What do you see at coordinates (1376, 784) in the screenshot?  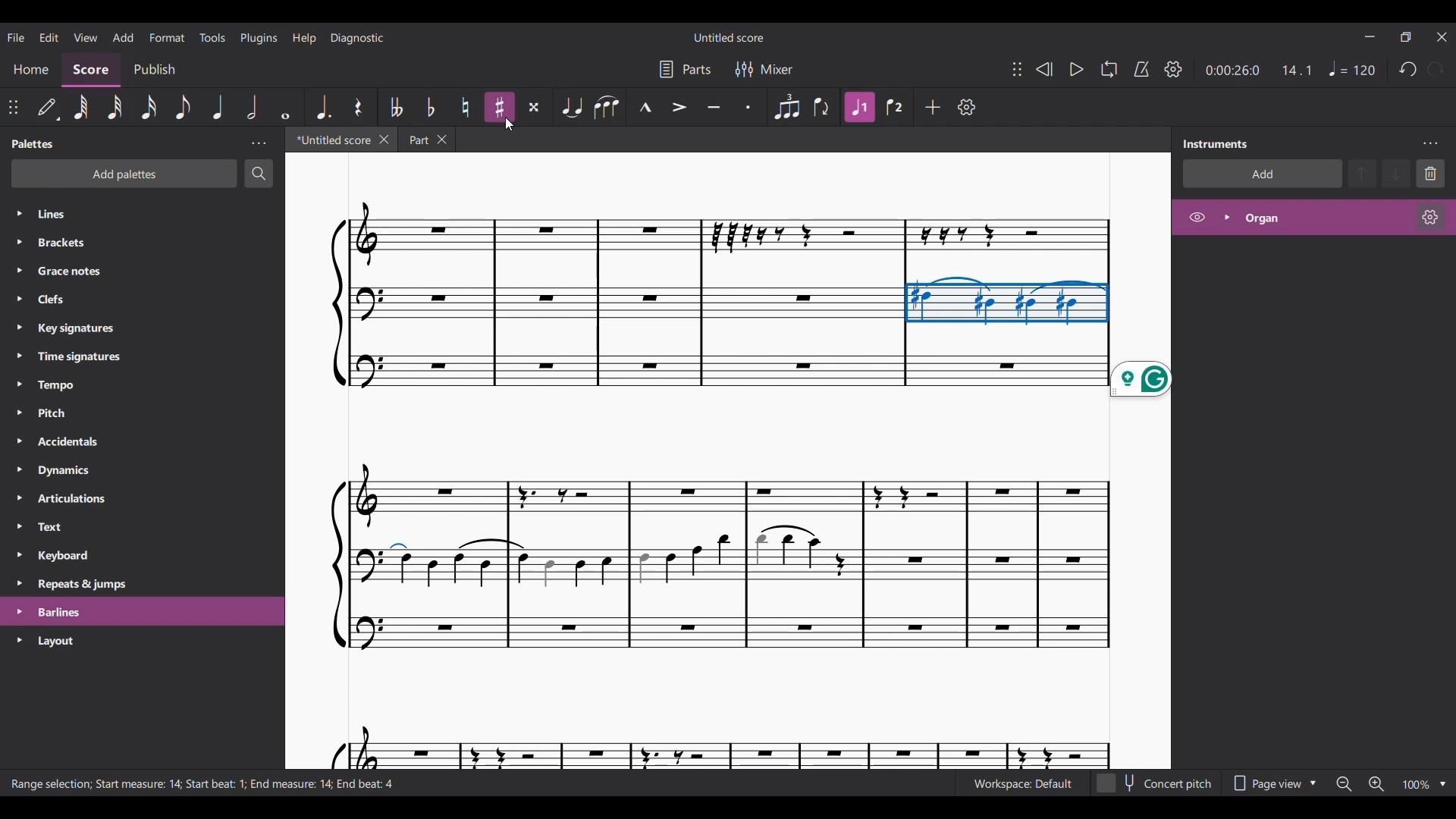 I see `Zoom in` at bounding box center [1376, 784].